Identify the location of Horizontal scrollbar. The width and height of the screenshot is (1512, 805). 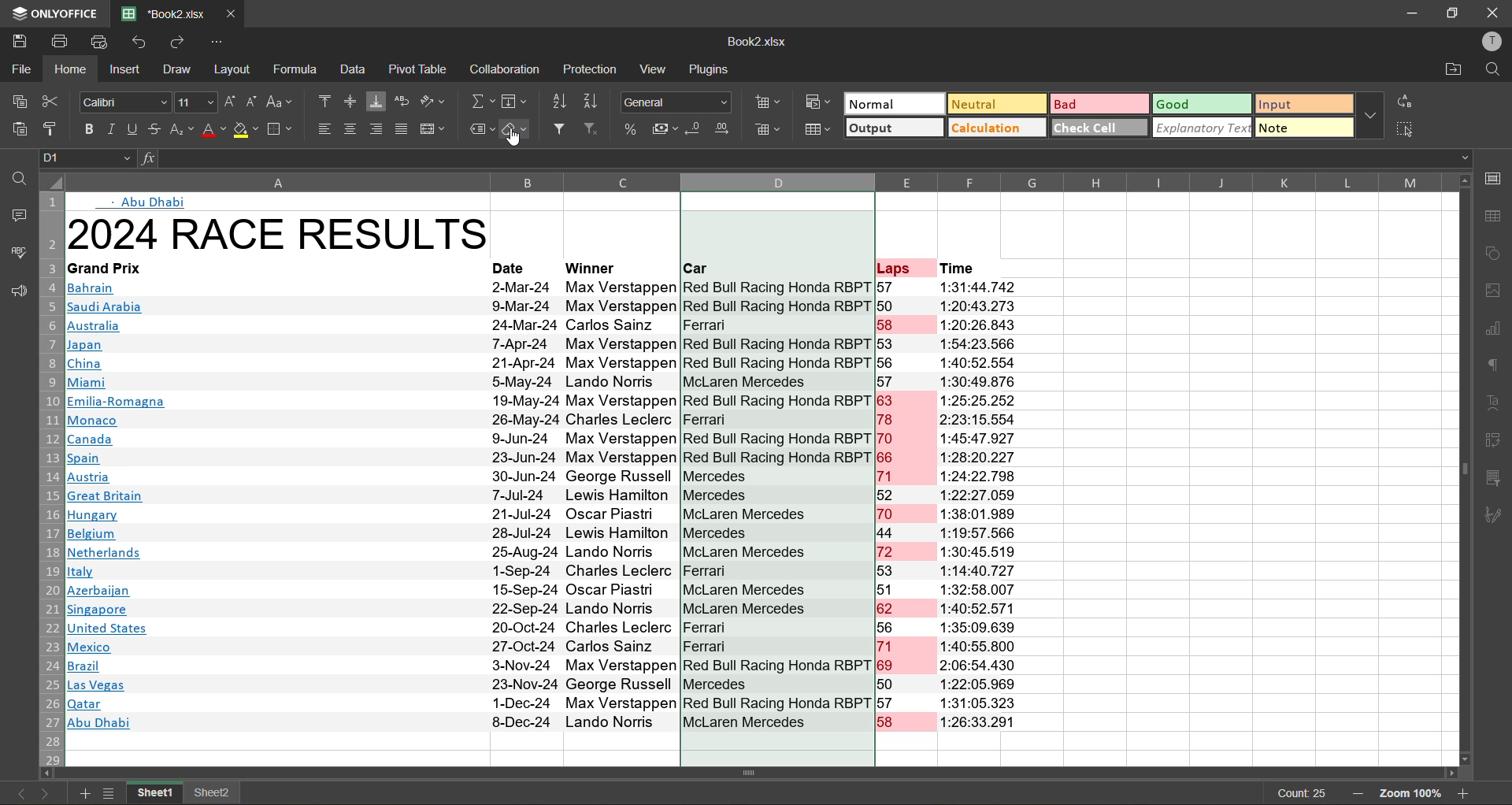
(755, 773).